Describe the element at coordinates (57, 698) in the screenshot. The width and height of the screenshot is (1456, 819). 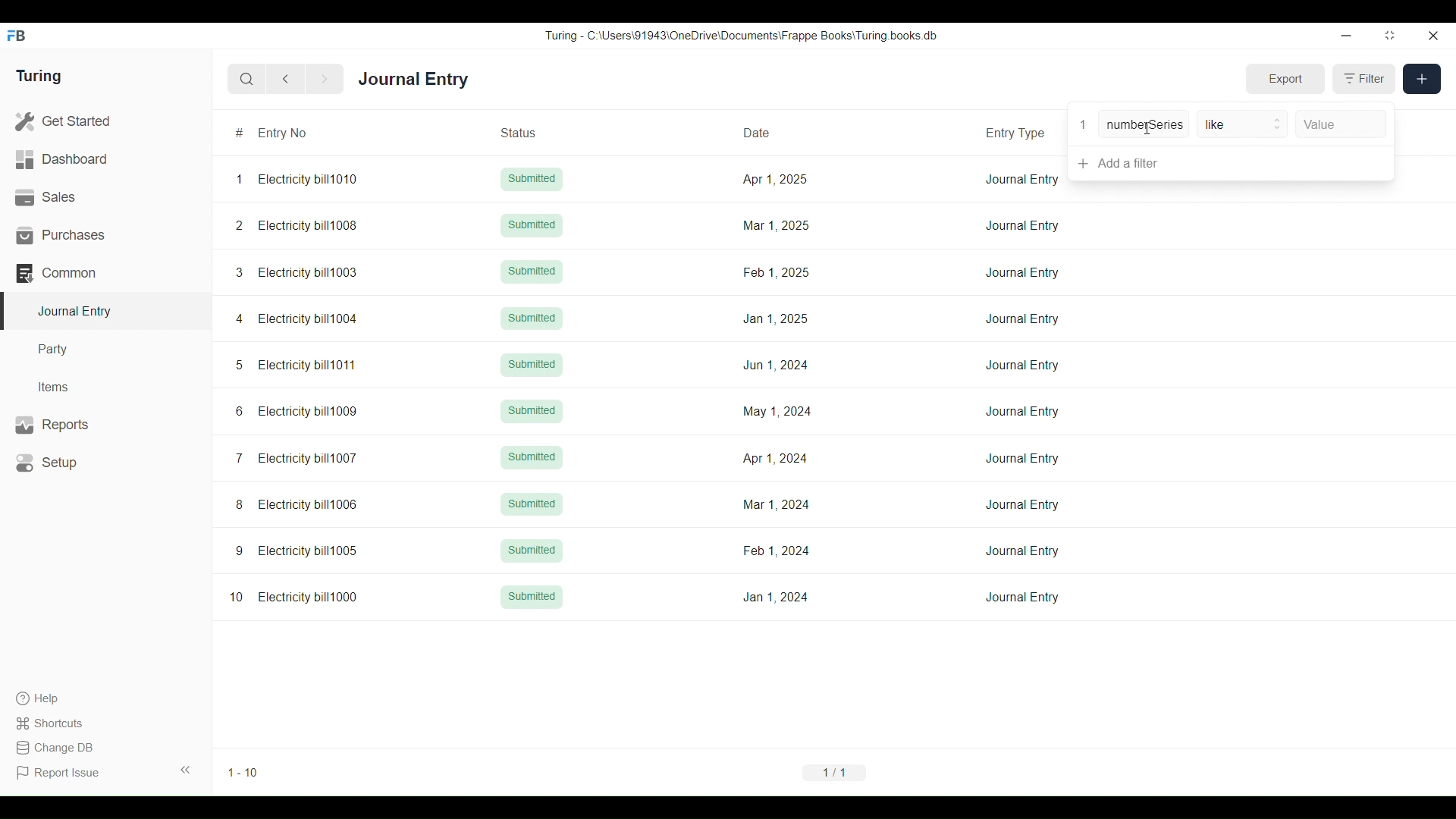
I see `Help` at that location.